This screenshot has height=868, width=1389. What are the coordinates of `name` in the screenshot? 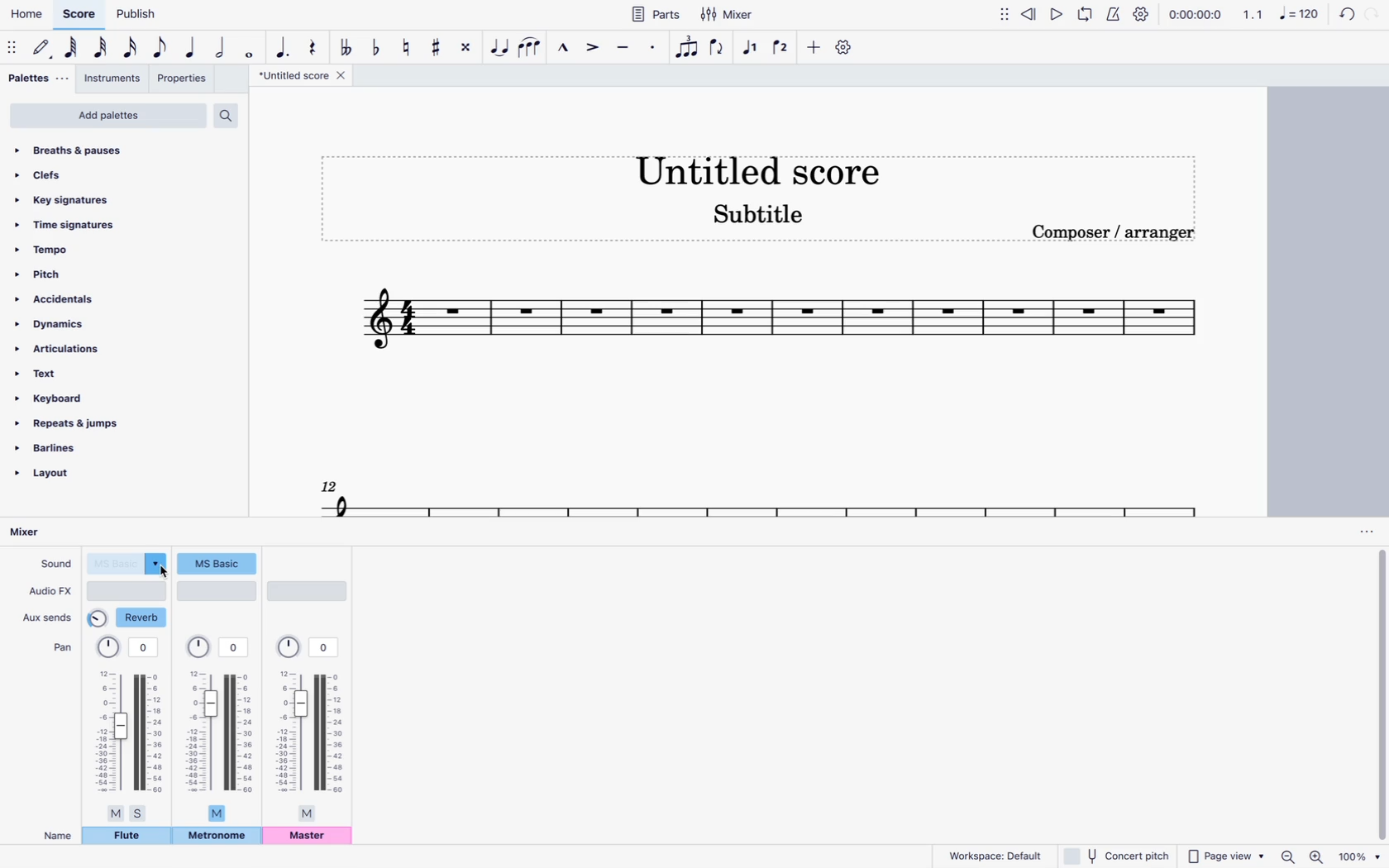 It's located at (58, 836).